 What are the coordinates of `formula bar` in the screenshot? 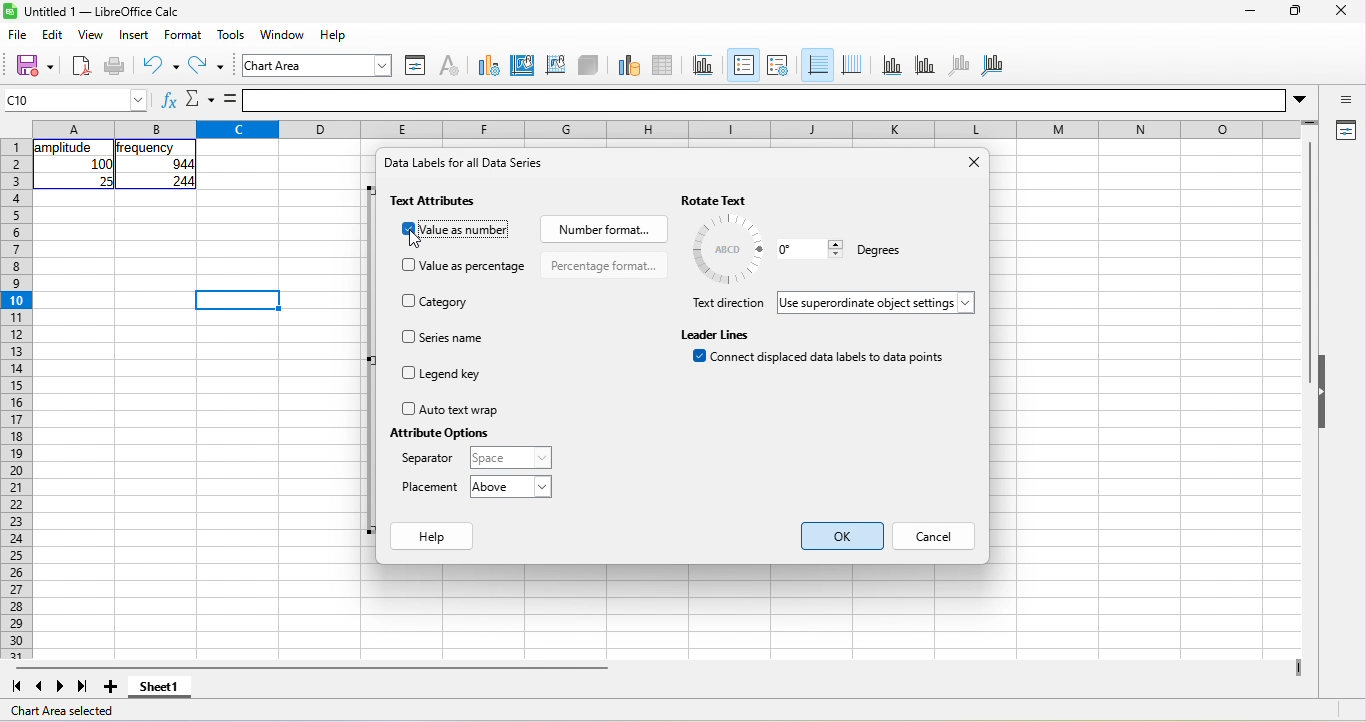 It's located at (783, 100).